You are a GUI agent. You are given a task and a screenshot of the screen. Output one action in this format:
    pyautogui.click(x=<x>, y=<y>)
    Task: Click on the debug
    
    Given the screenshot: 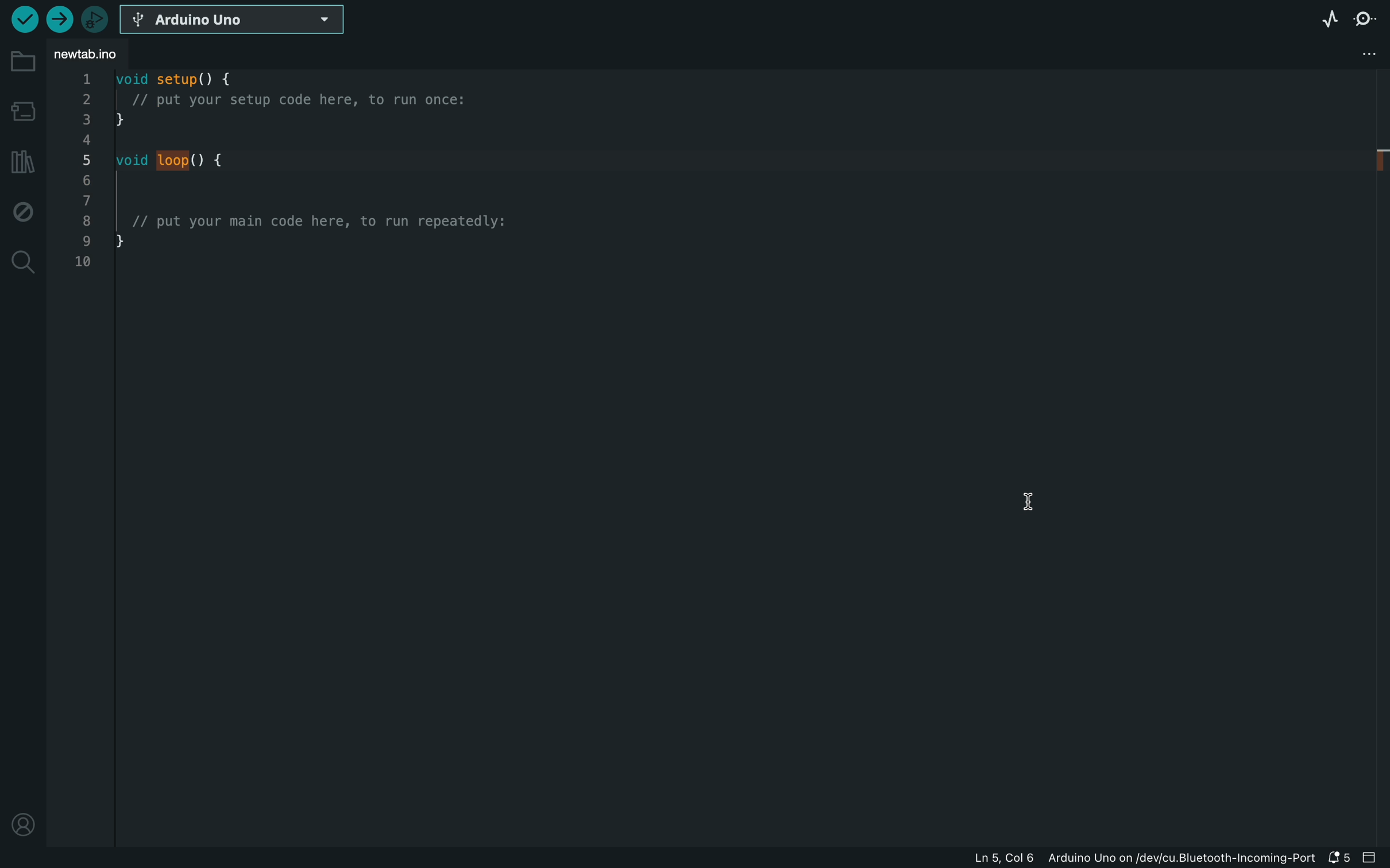 What is the action you would take?
    pyautogui.click(x=23, y=209)
    